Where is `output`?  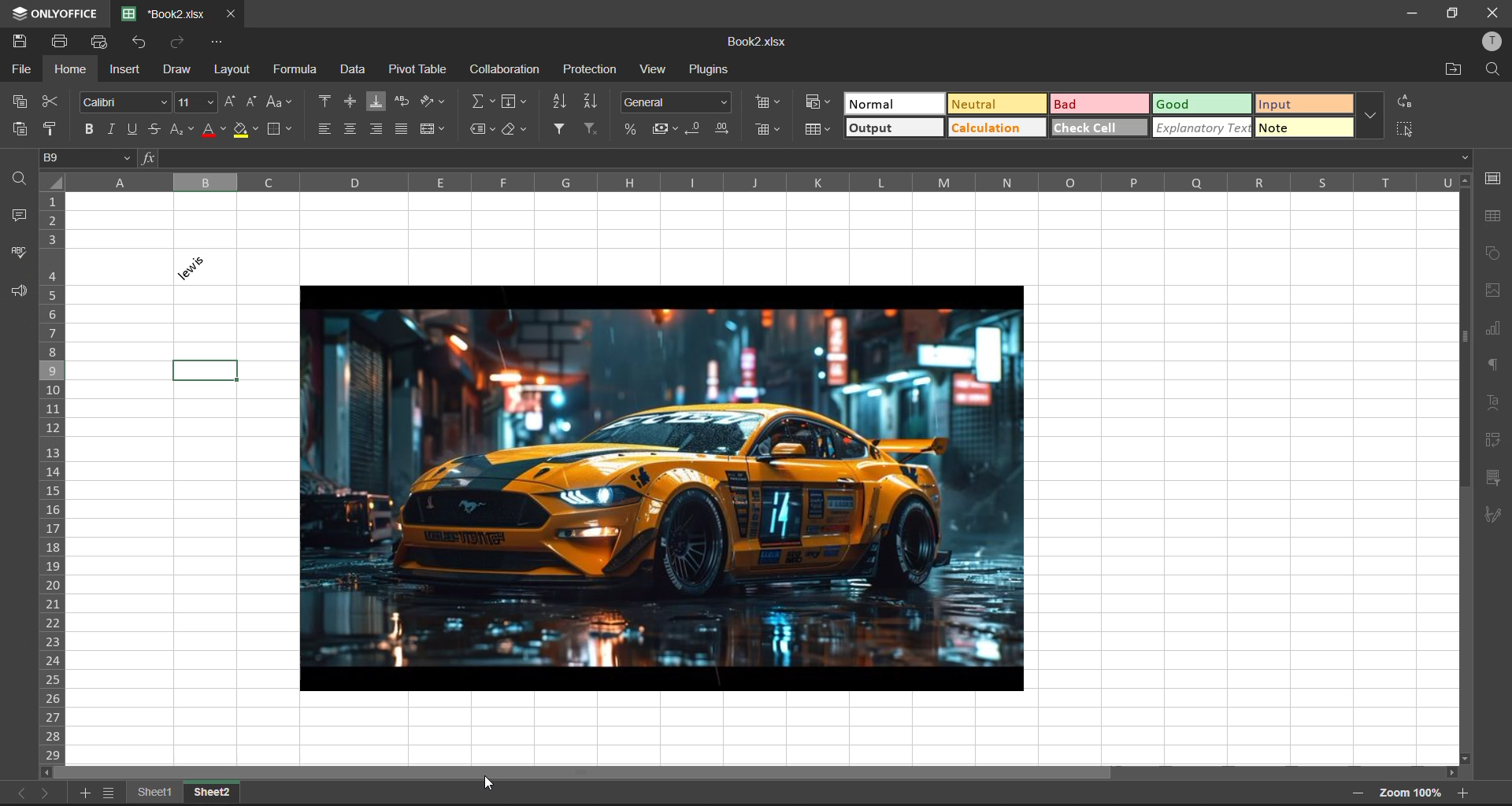
output is located at coordinates (892, 128).